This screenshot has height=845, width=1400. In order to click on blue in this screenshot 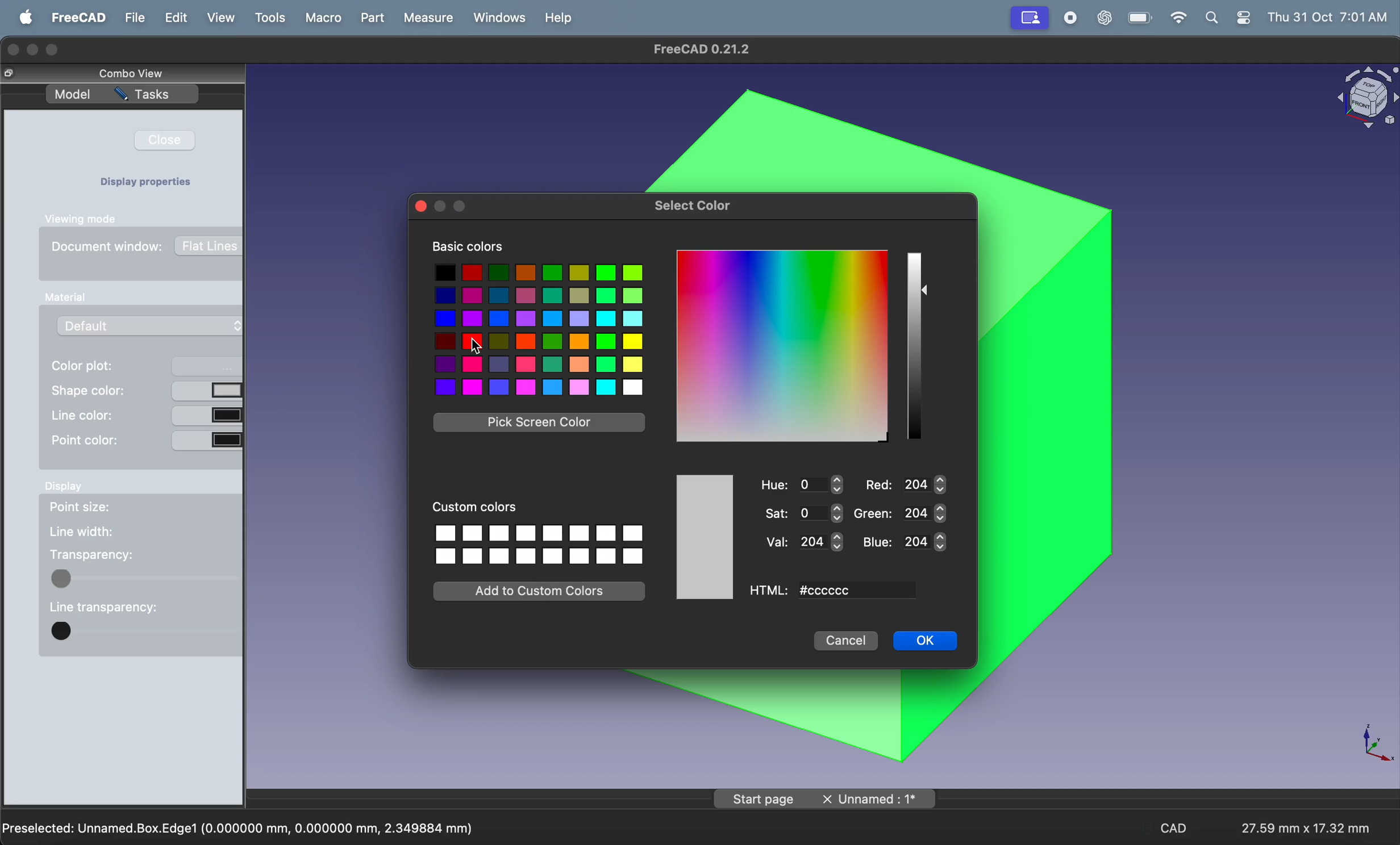, I will do `click(902, 543)`.